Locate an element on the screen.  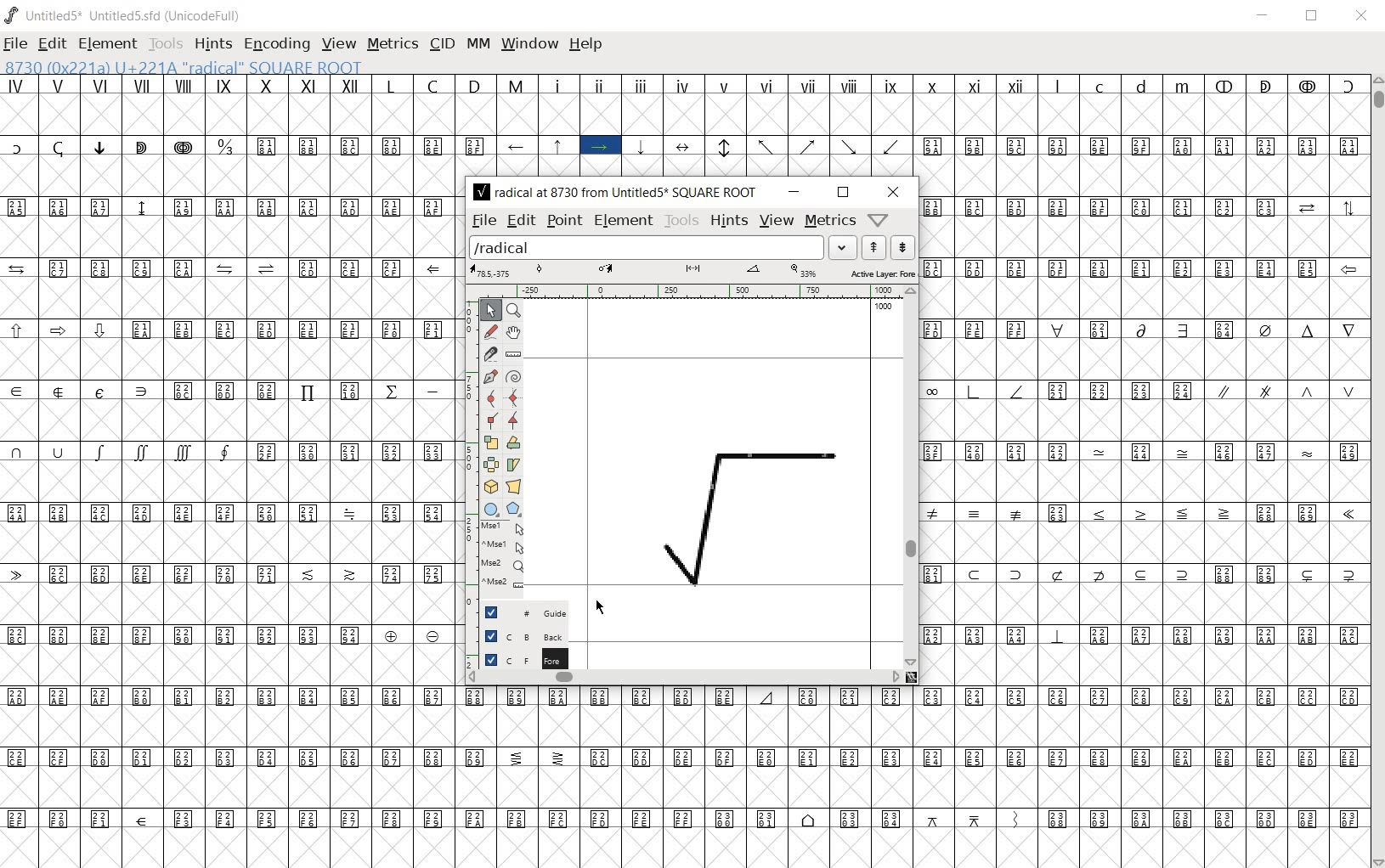
polygon or star is located at coordinates (517, 509).